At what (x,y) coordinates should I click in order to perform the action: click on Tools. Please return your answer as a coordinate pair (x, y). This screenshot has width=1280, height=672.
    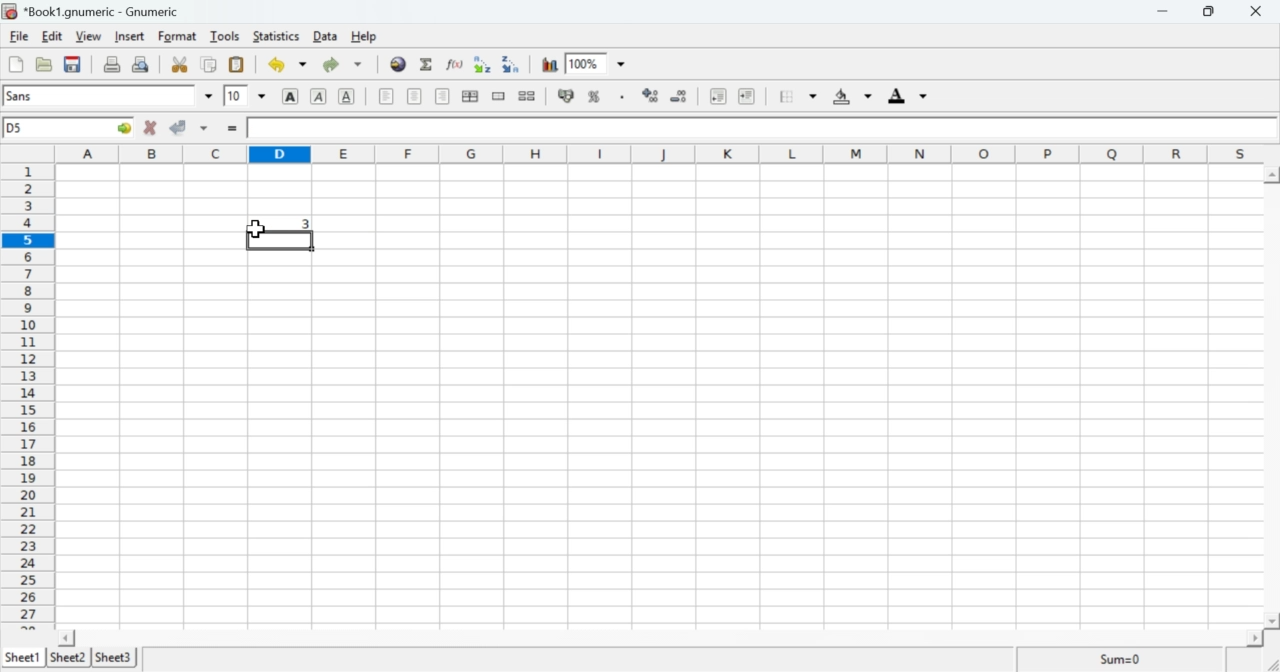
    Looking at the image, I should click on (225, 36).